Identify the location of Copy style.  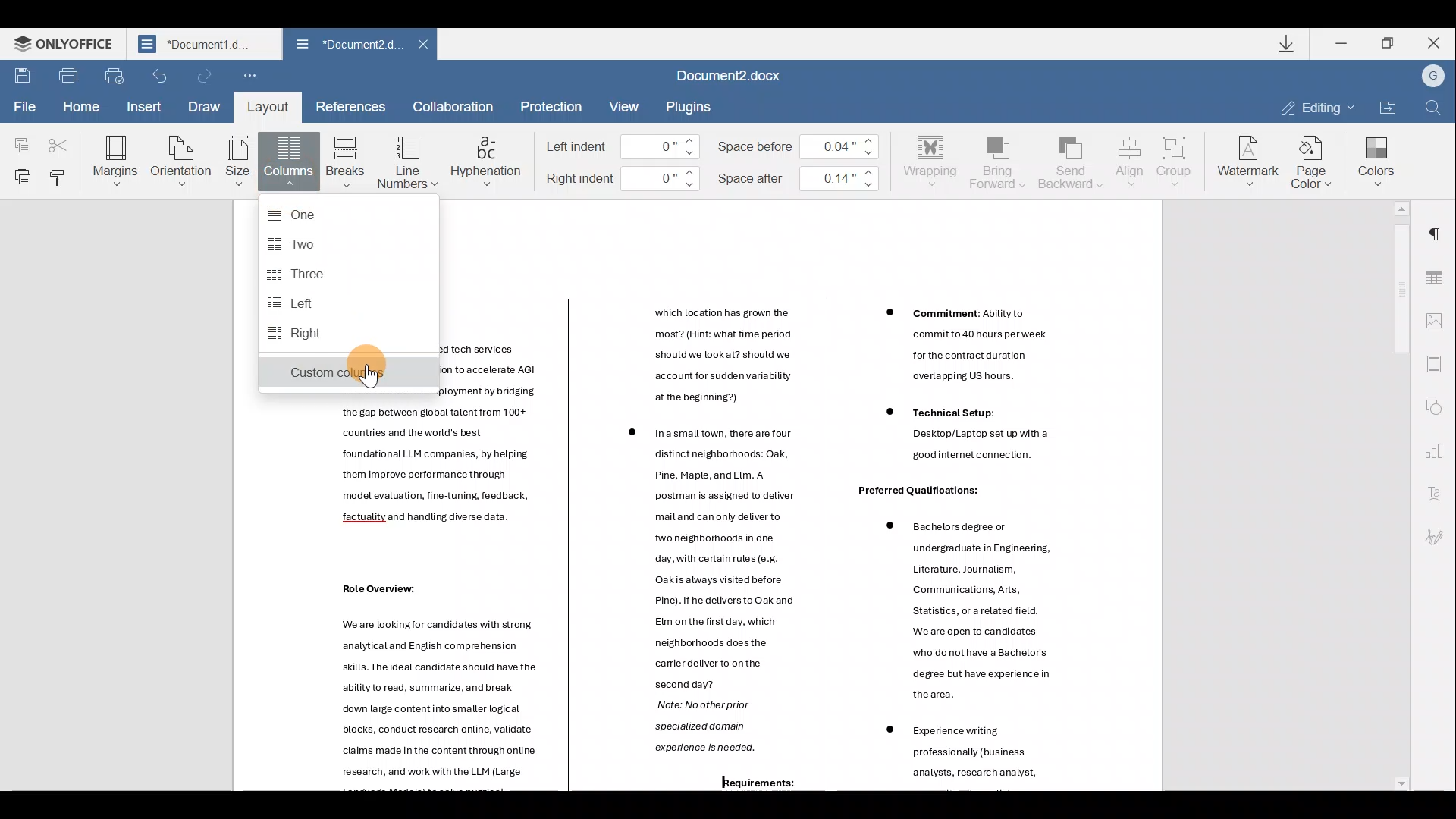
(60, 174).